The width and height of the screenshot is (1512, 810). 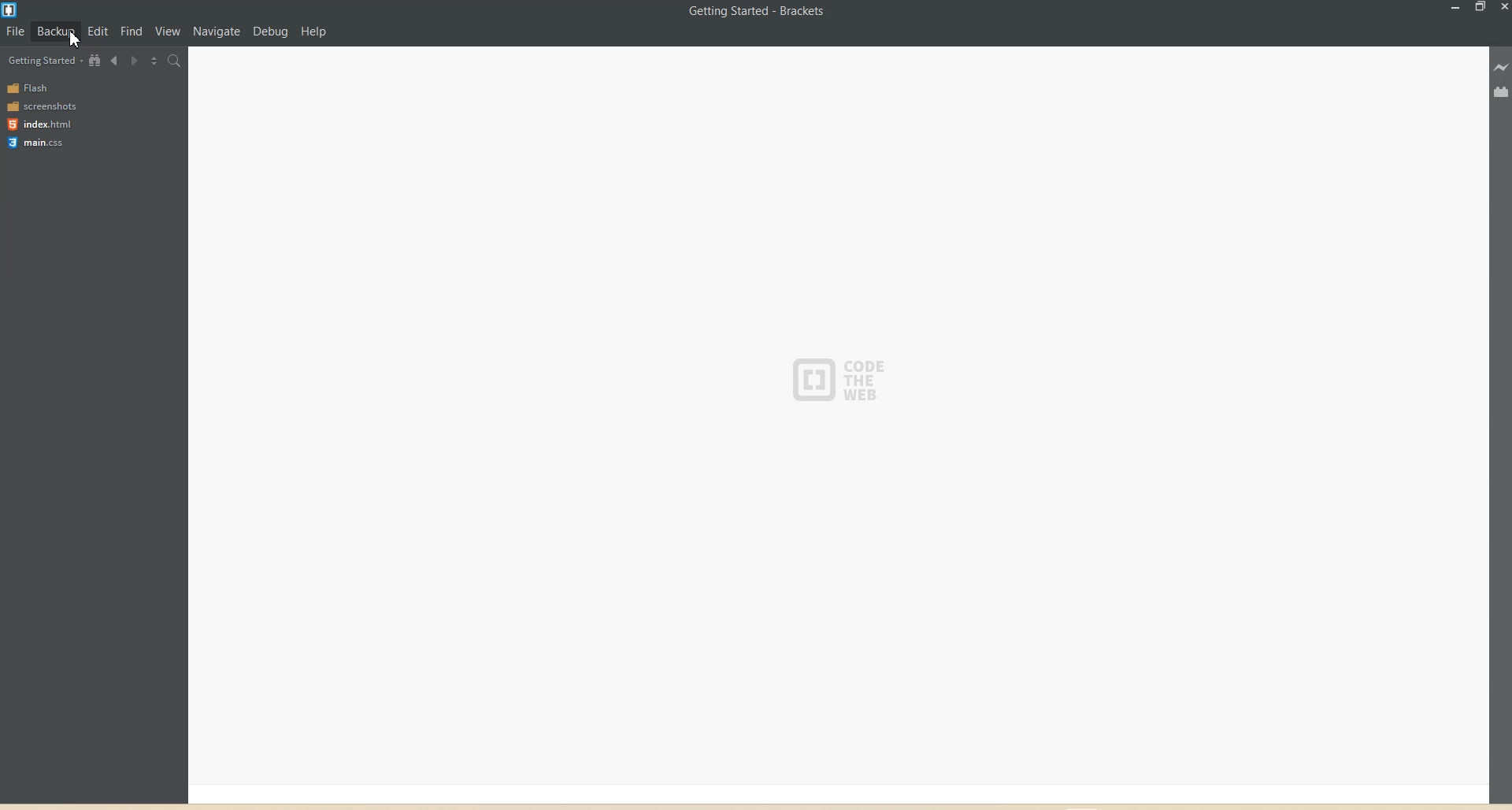 I want to click on Cursor, so click(x=76, y=43).